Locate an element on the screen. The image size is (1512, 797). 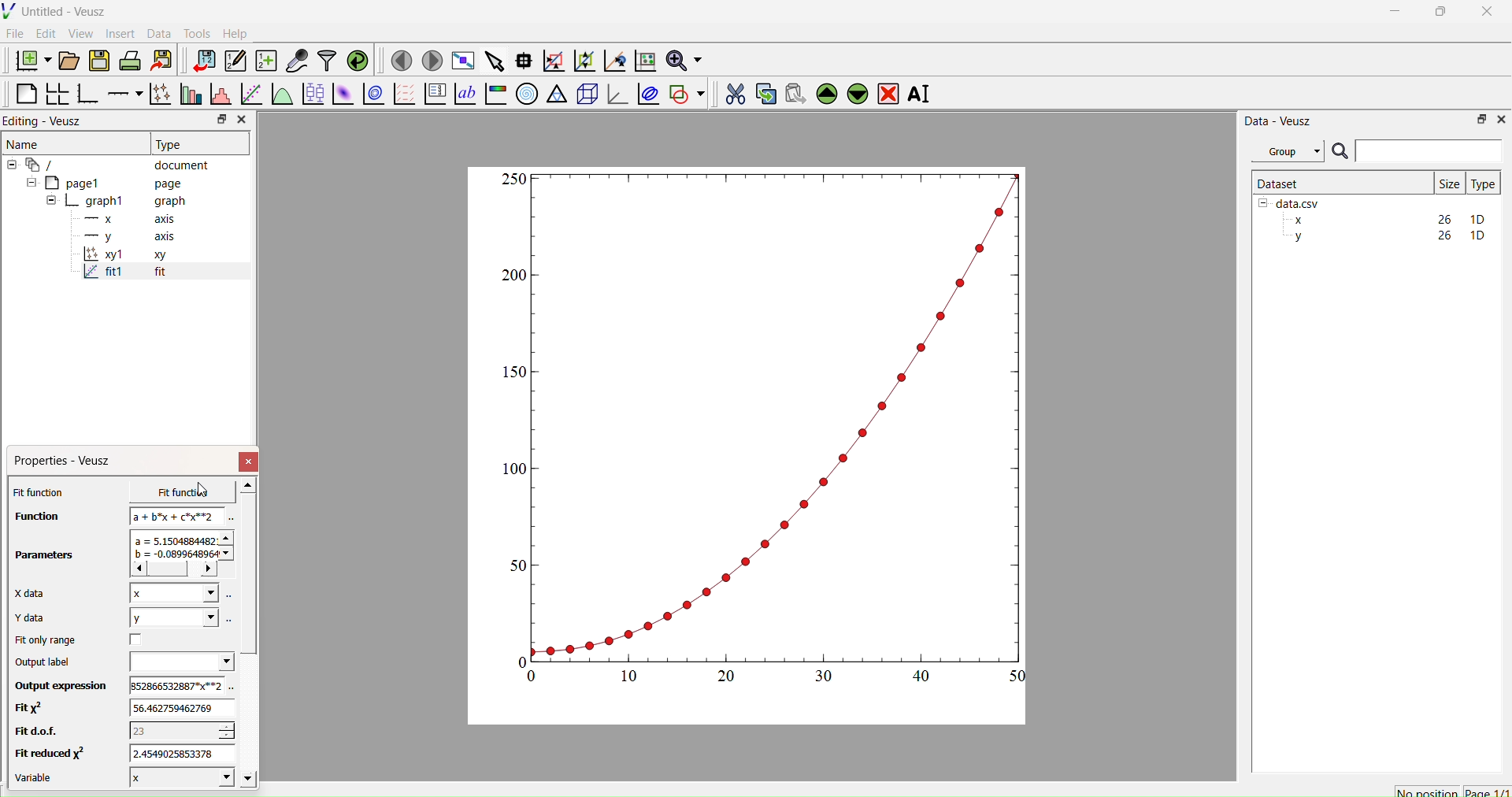
input  is located at coordinates (169, 685).